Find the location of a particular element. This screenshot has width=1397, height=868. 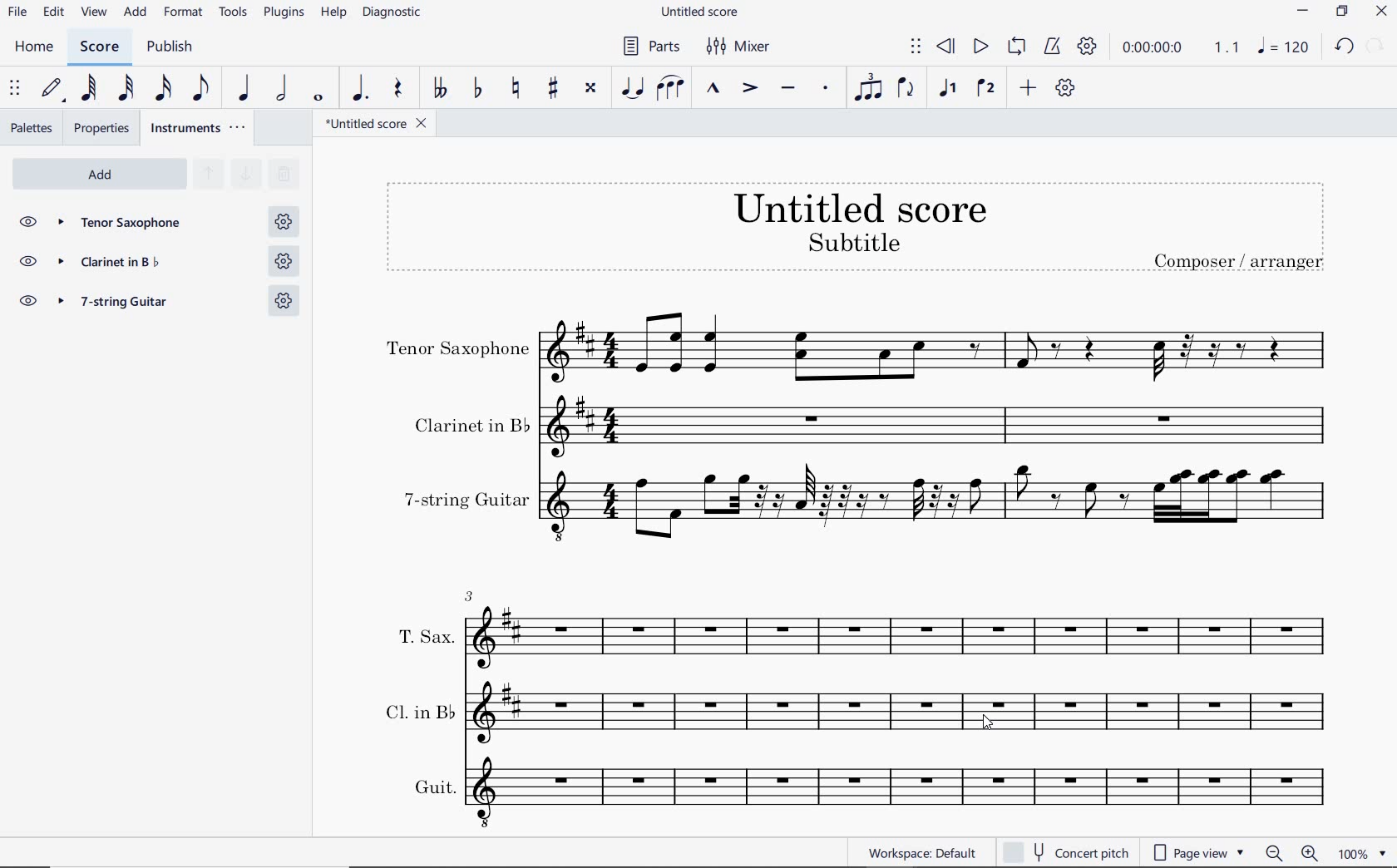

settings is located at coordinates (284, 220).